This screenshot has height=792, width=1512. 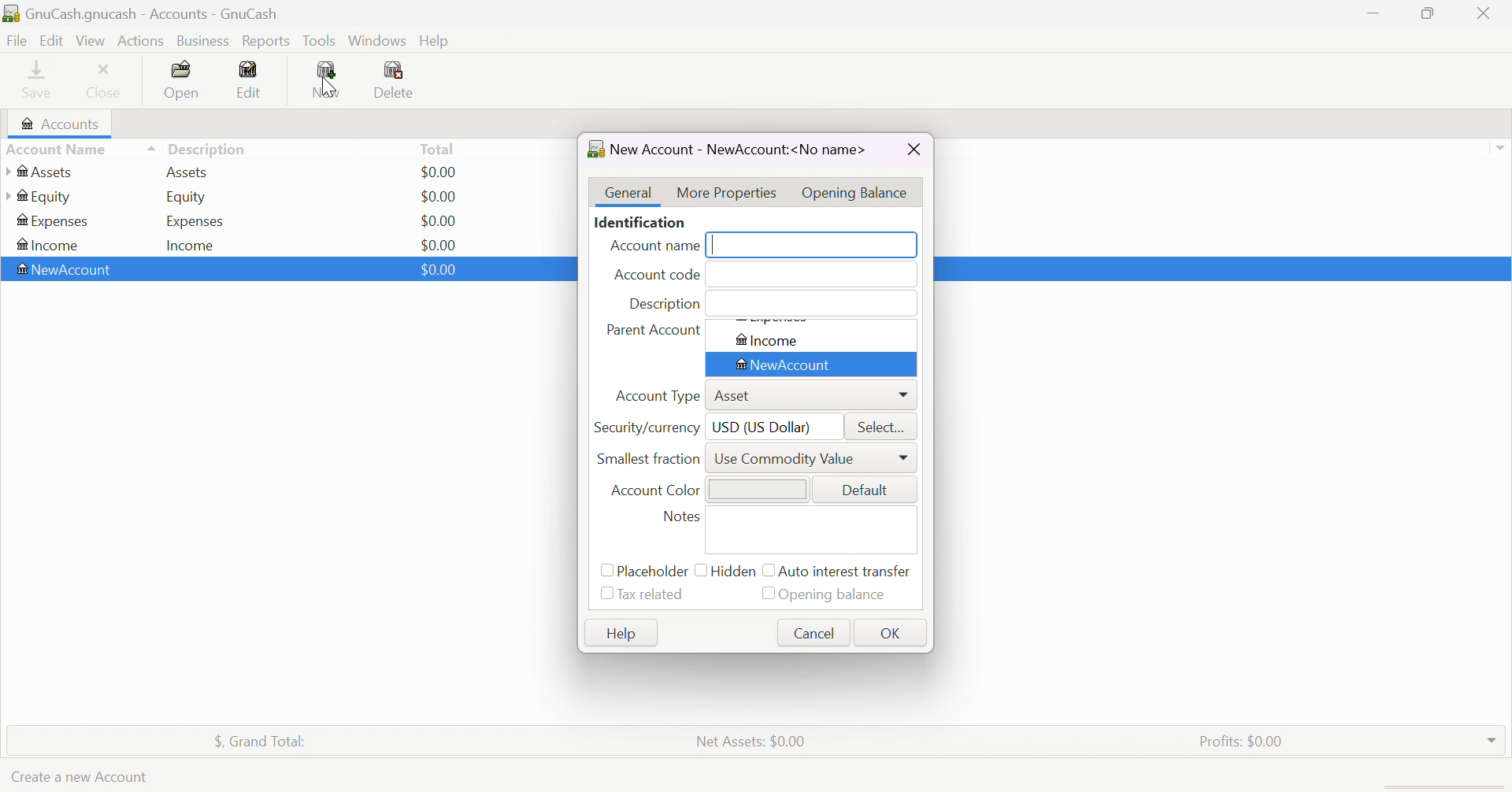 I want to click on Income, so click(x=769, y=341).